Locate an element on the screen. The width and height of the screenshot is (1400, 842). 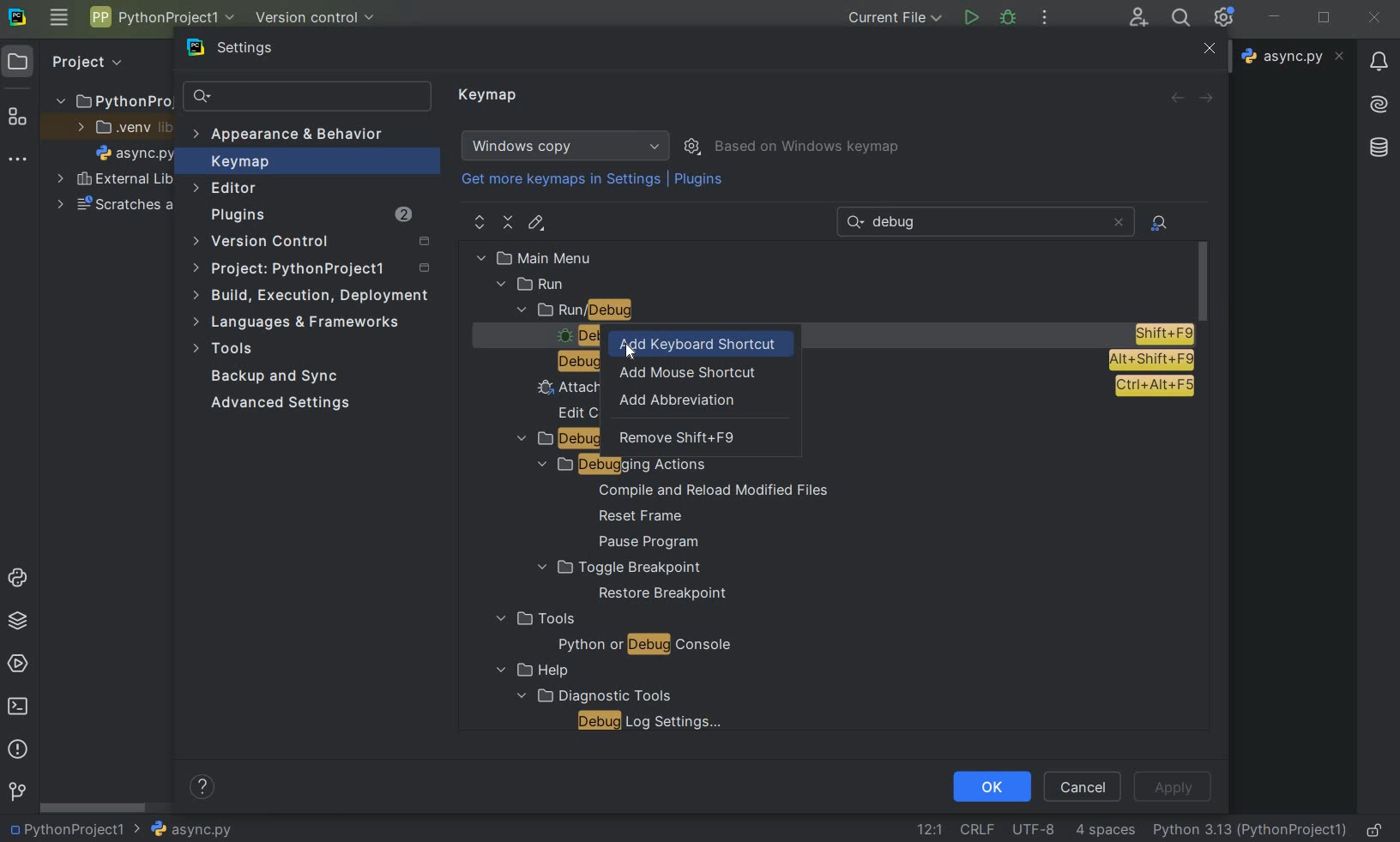
problems is located at coordinates (16, 748).